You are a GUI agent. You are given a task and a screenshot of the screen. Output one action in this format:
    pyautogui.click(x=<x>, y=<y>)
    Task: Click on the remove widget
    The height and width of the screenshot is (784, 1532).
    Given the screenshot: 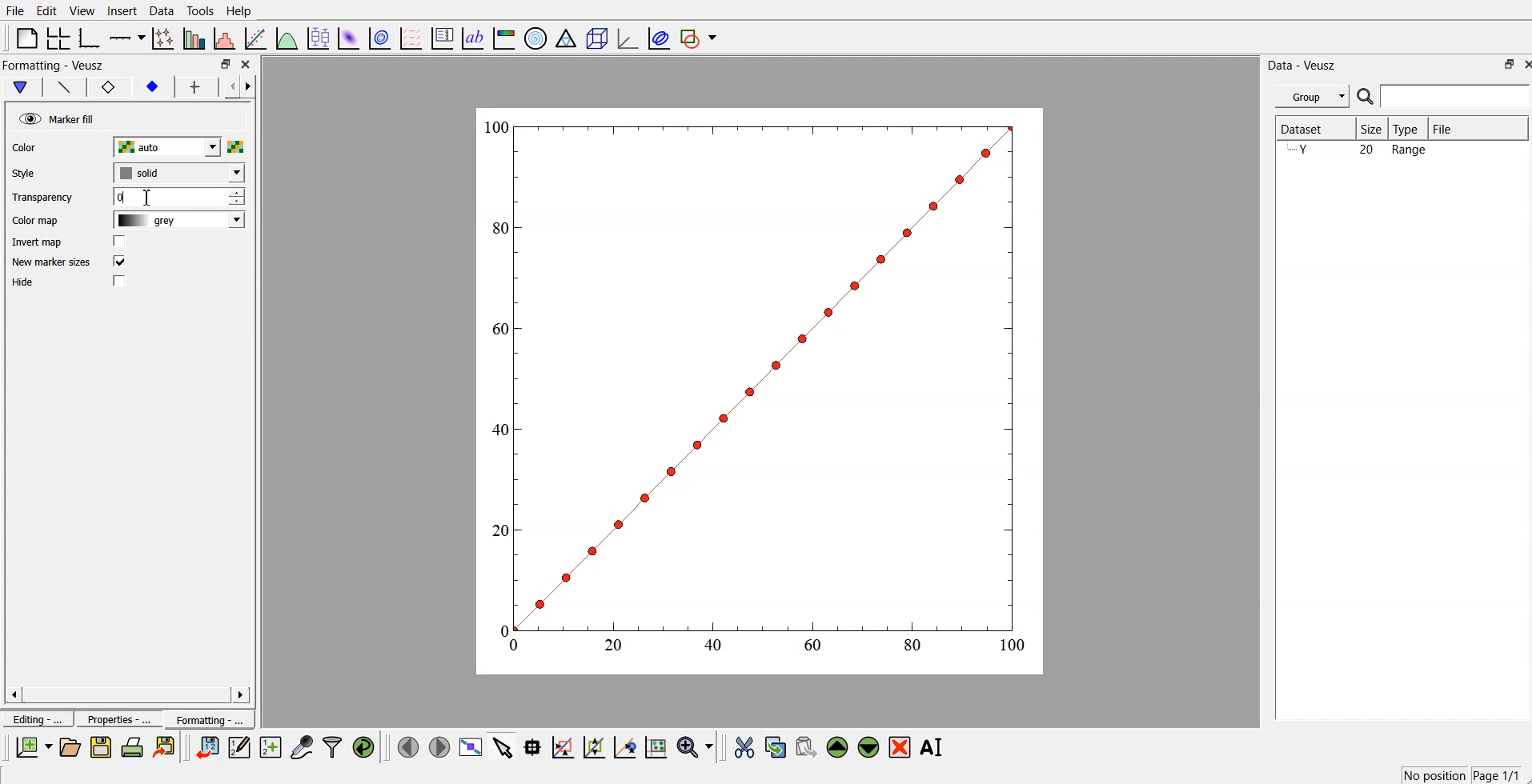 What is the action you would take?
    pyautogui.click(x=900, y=746)
    